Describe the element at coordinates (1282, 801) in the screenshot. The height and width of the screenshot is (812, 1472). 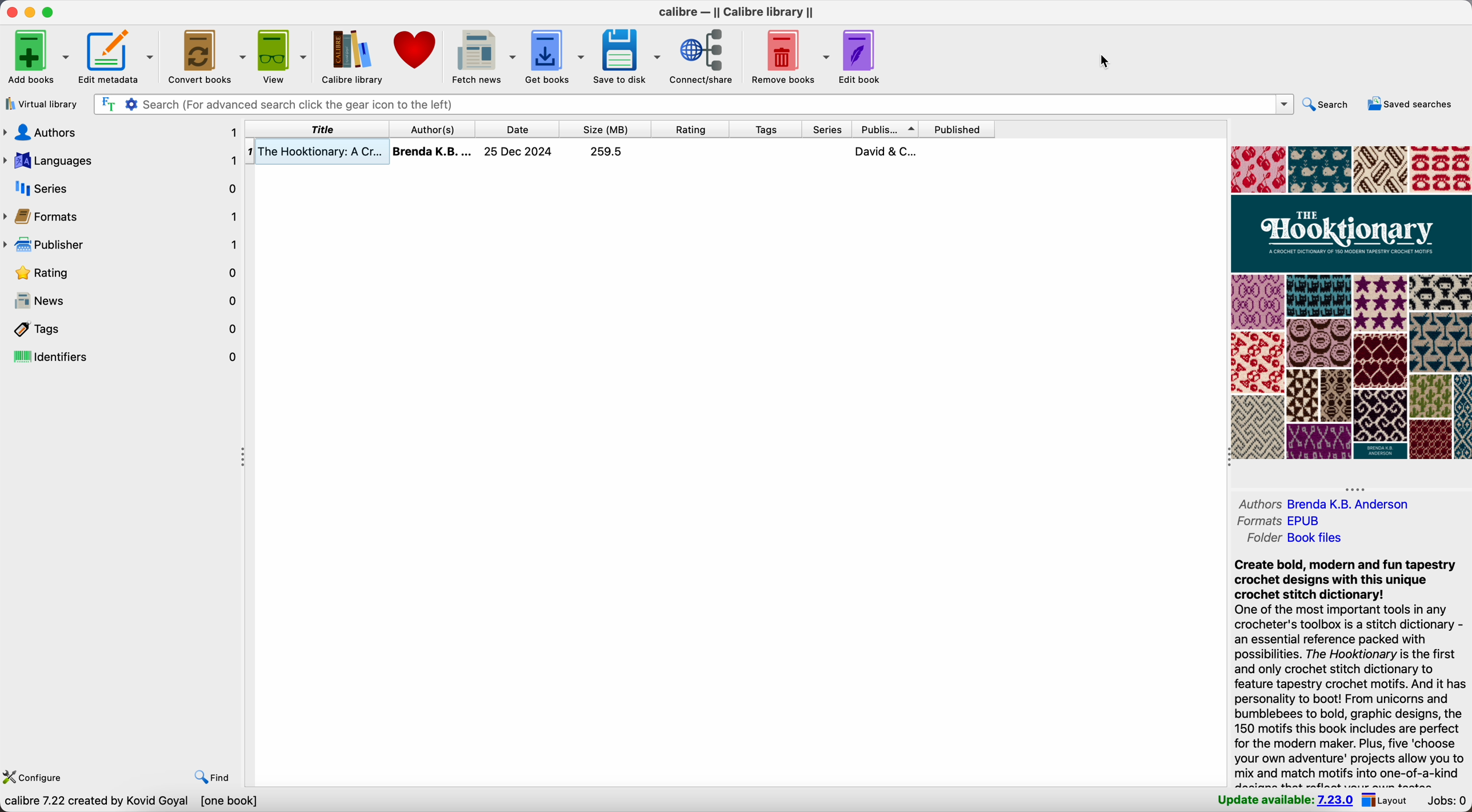
I see `update available` at that location.